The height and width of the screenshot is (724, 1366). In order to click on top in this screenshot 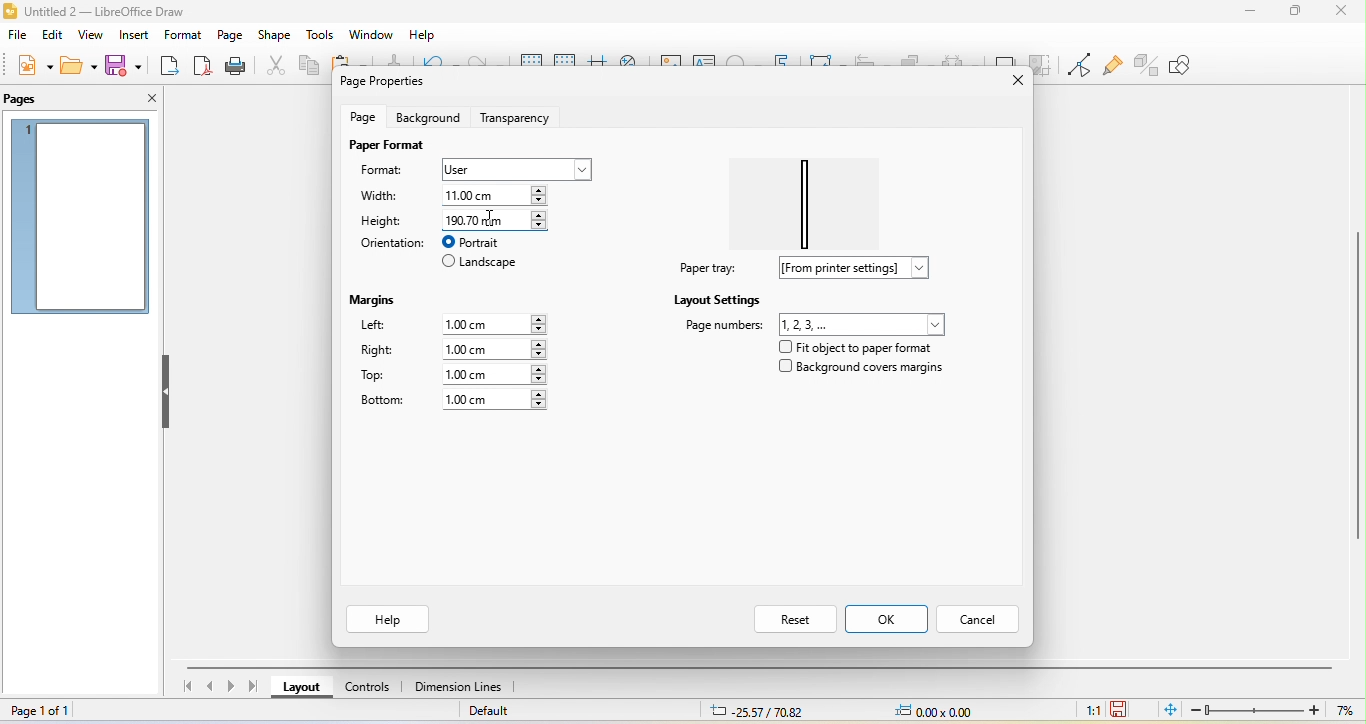, I will do `click(382, 376)`.